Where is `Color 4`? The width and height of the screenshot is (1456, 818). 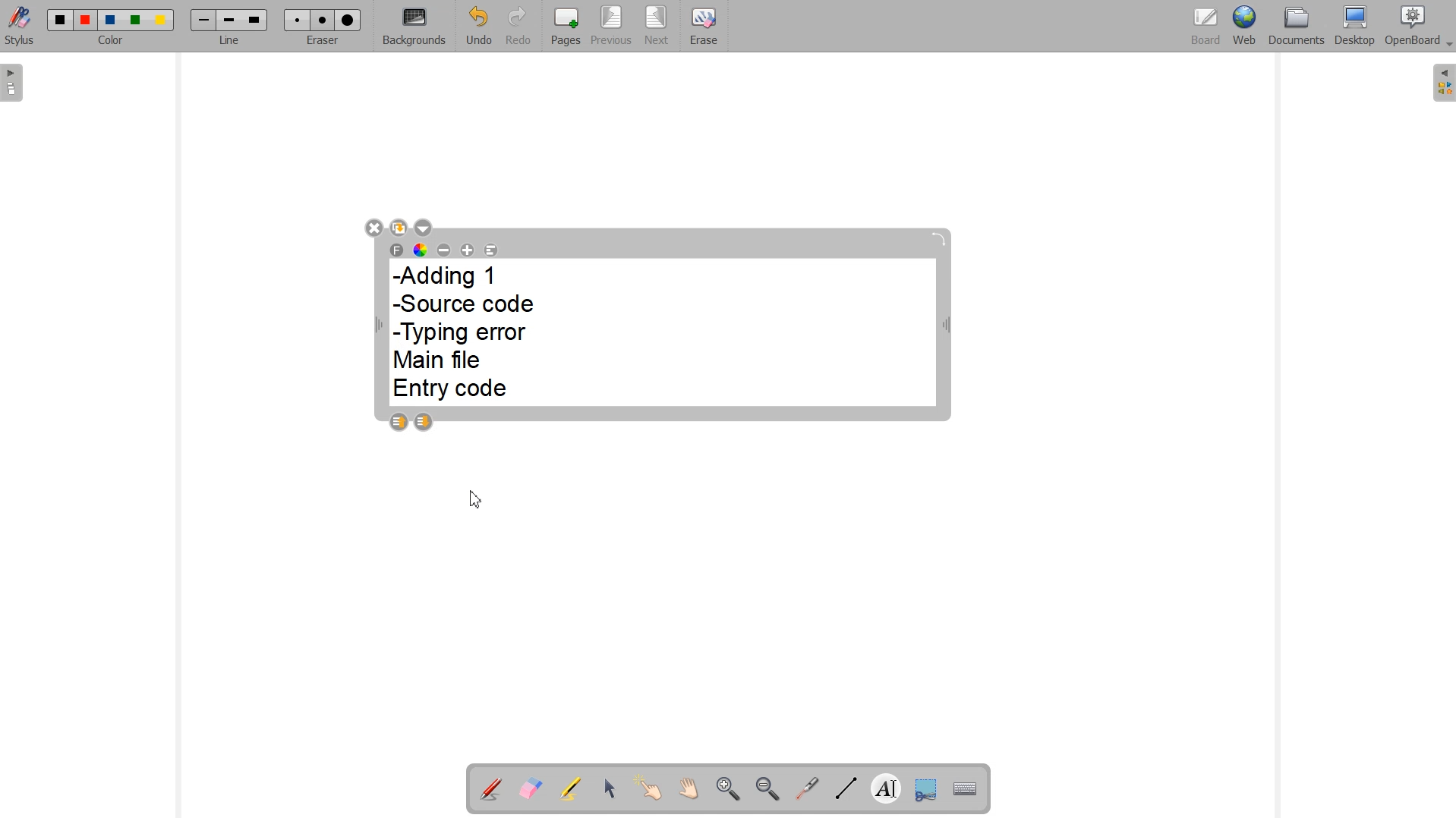 Color 4 is located at coordinates (137, 20).